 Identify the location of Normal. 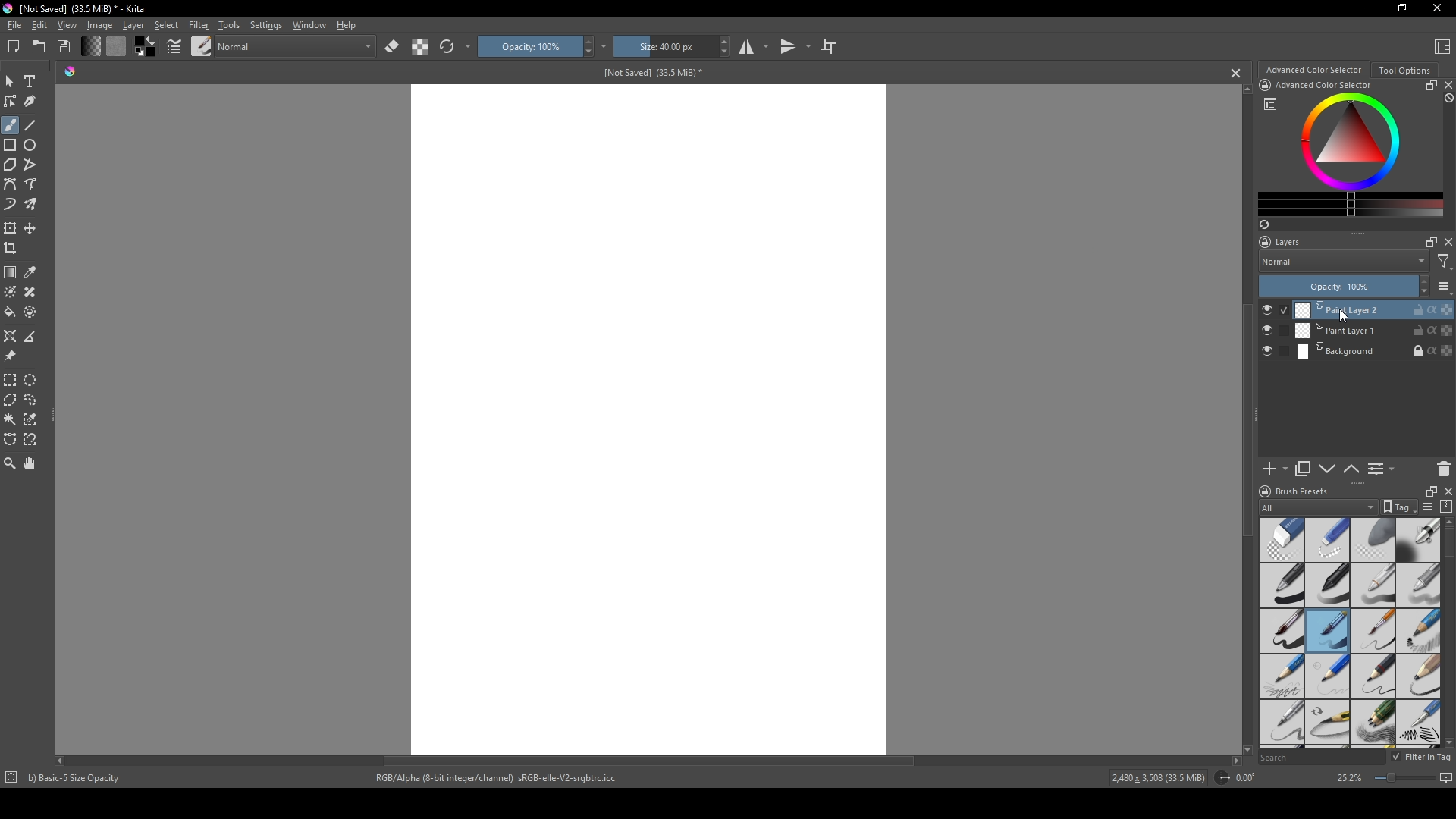
(1344, 261).